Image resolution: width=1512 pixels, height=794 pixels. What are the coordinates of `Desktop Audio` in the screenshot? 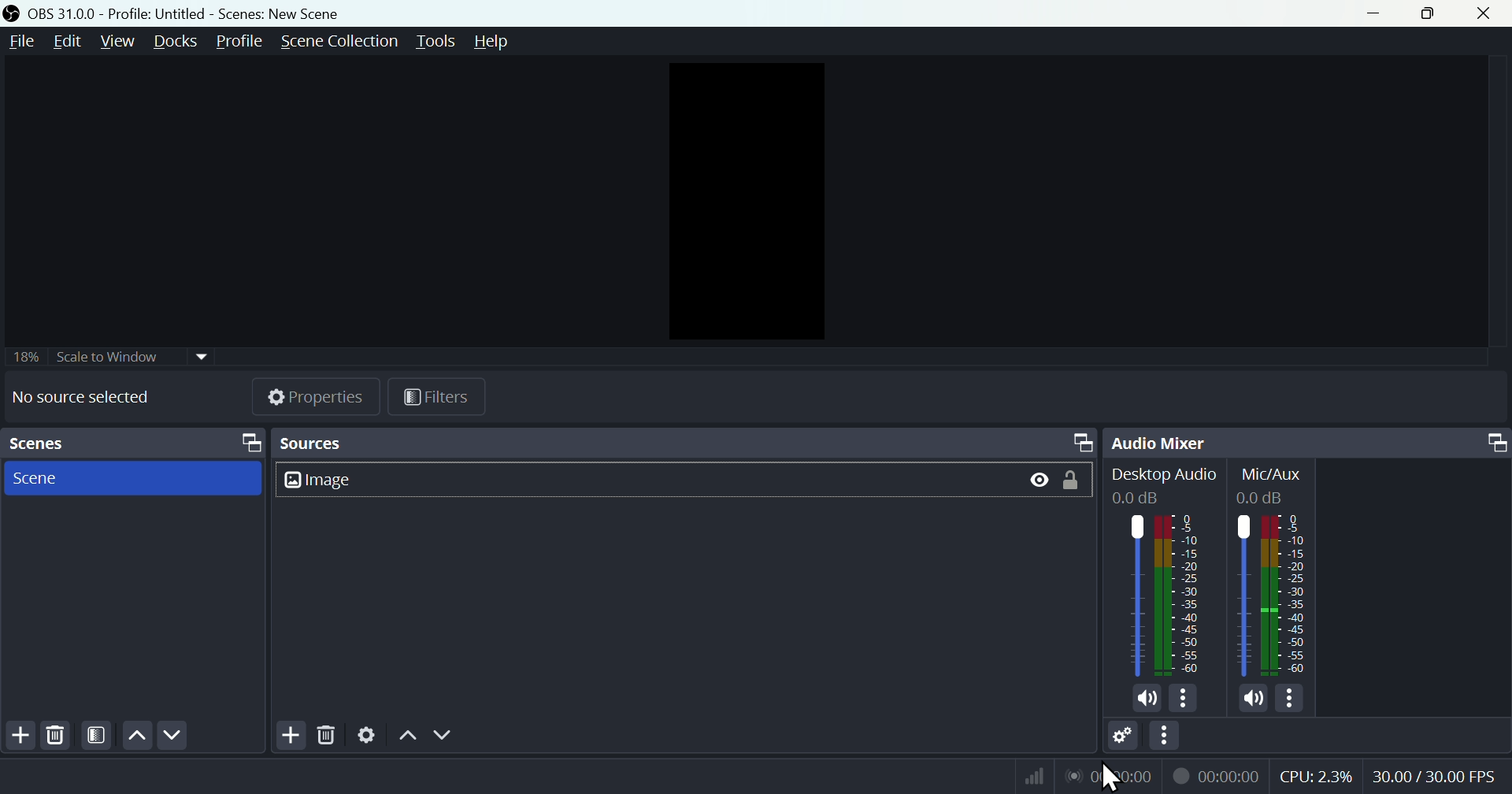 It's located at (1167, 482).